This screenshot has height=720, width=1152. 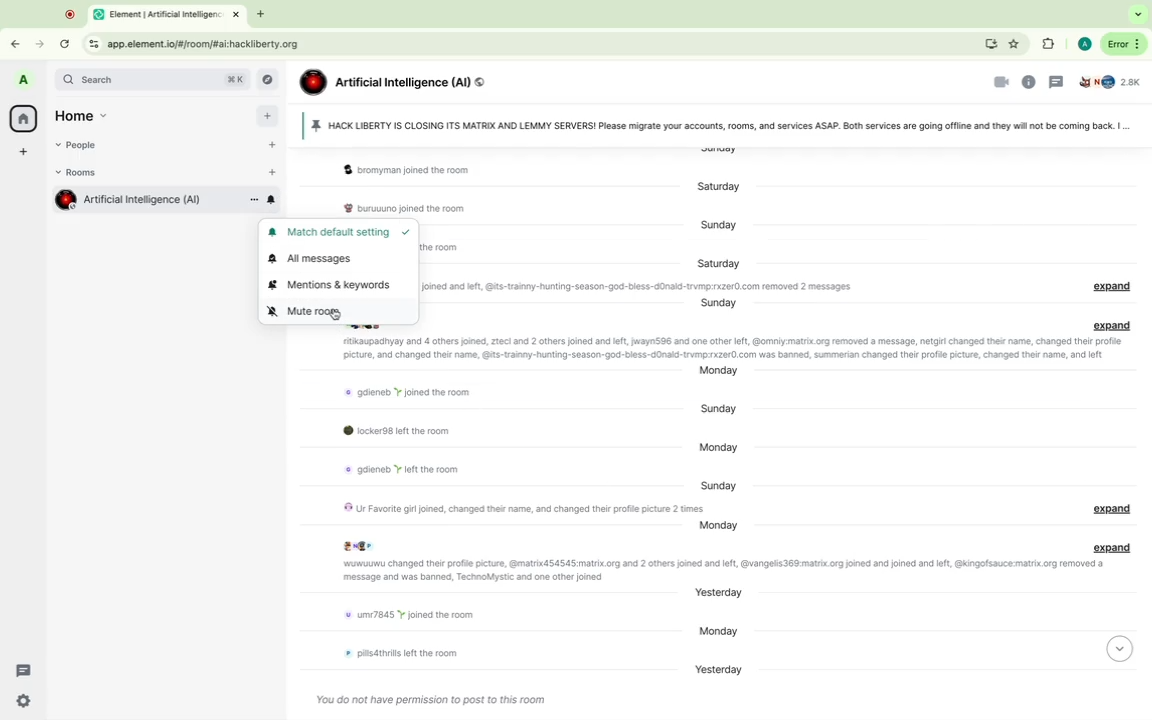 I want to click on Expand, so click(x=1115, y=287).